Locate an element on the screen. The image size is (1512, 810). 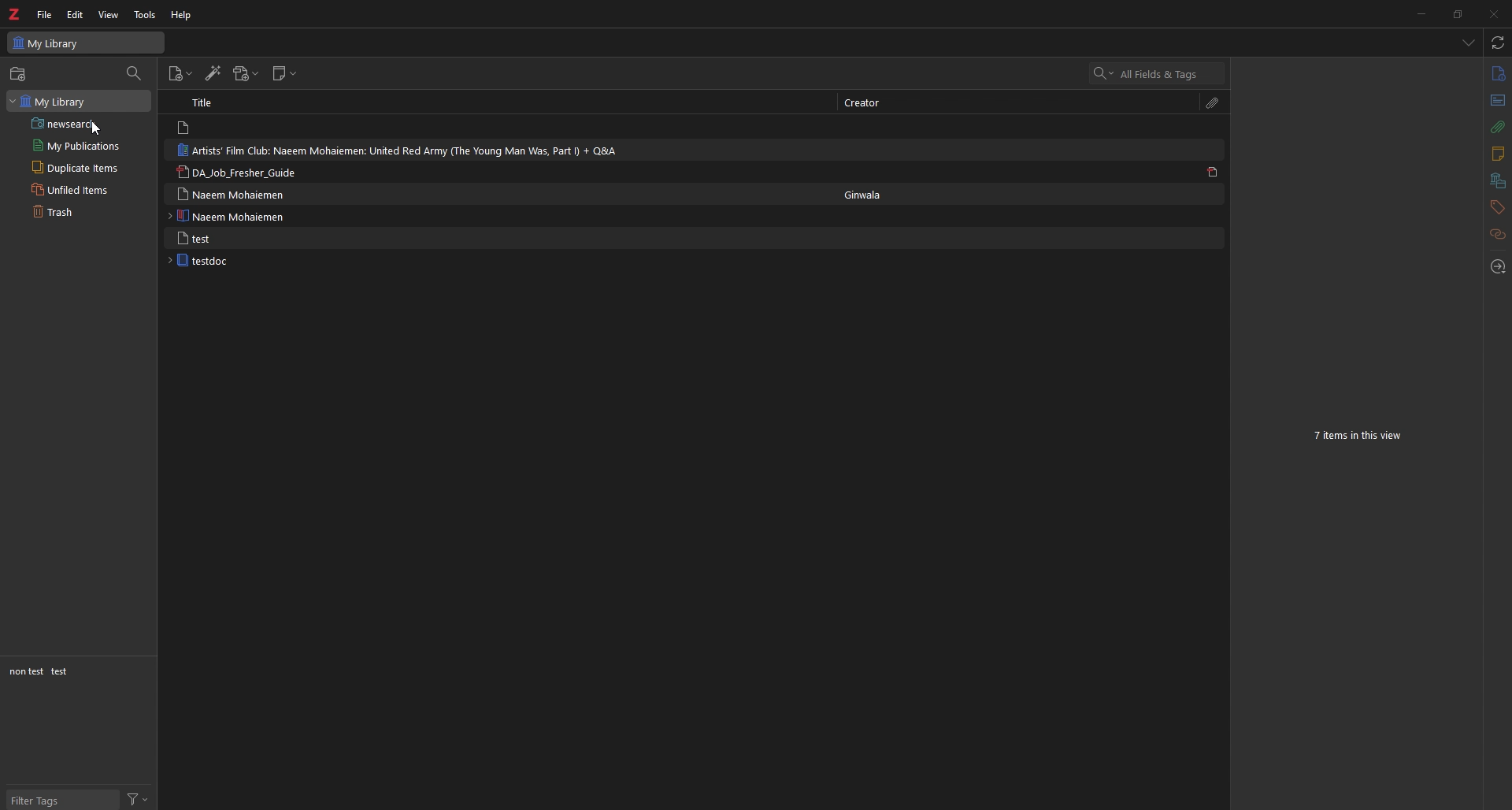
Related is located at coordinates (1497, 236).